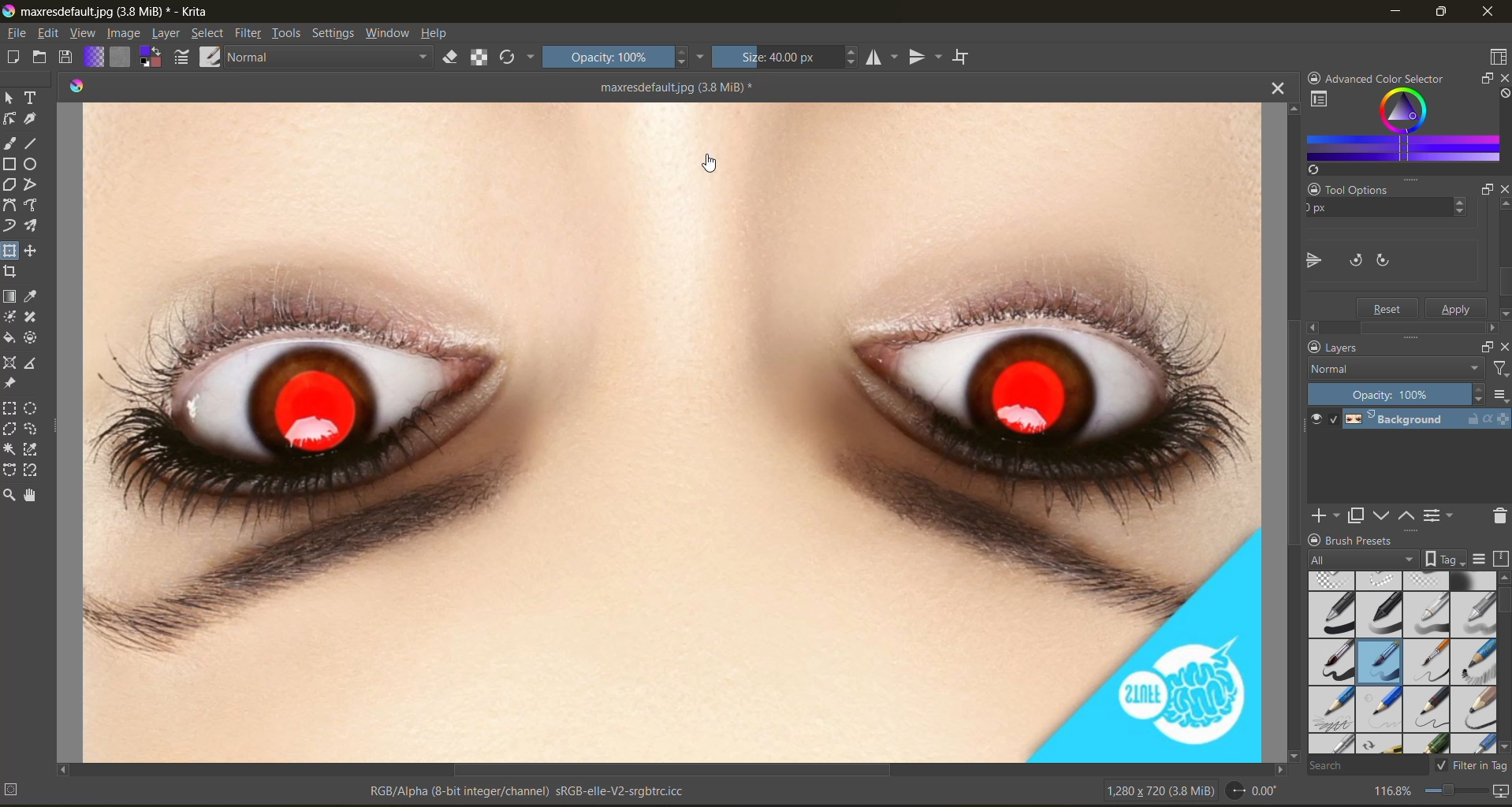  Describe the element at coordinates (209, 57) in the screenshot. I see `choose brush preset` at that location.